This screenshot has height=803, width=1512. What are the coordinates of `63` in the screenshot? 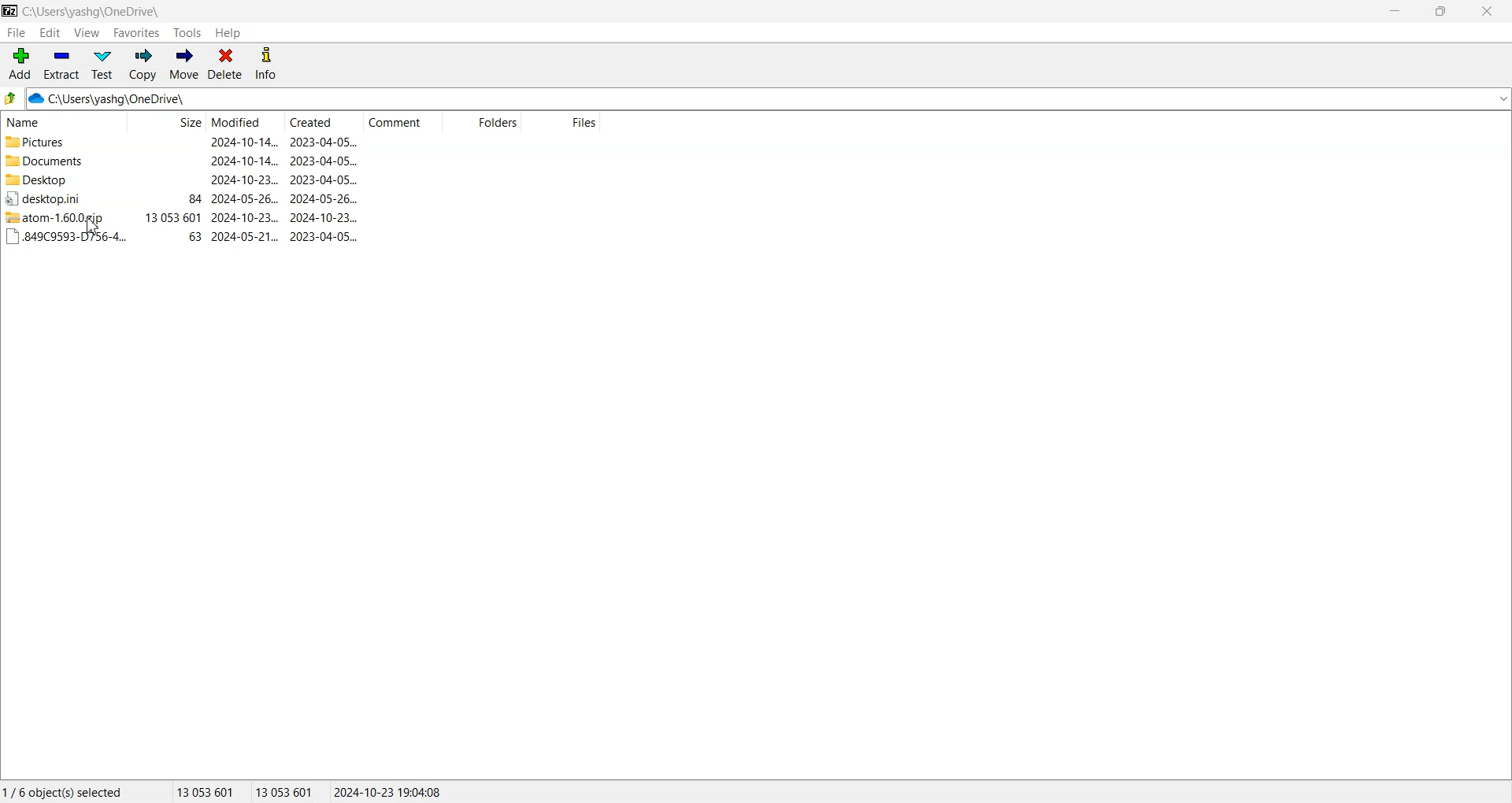 It's located at (195, 237).